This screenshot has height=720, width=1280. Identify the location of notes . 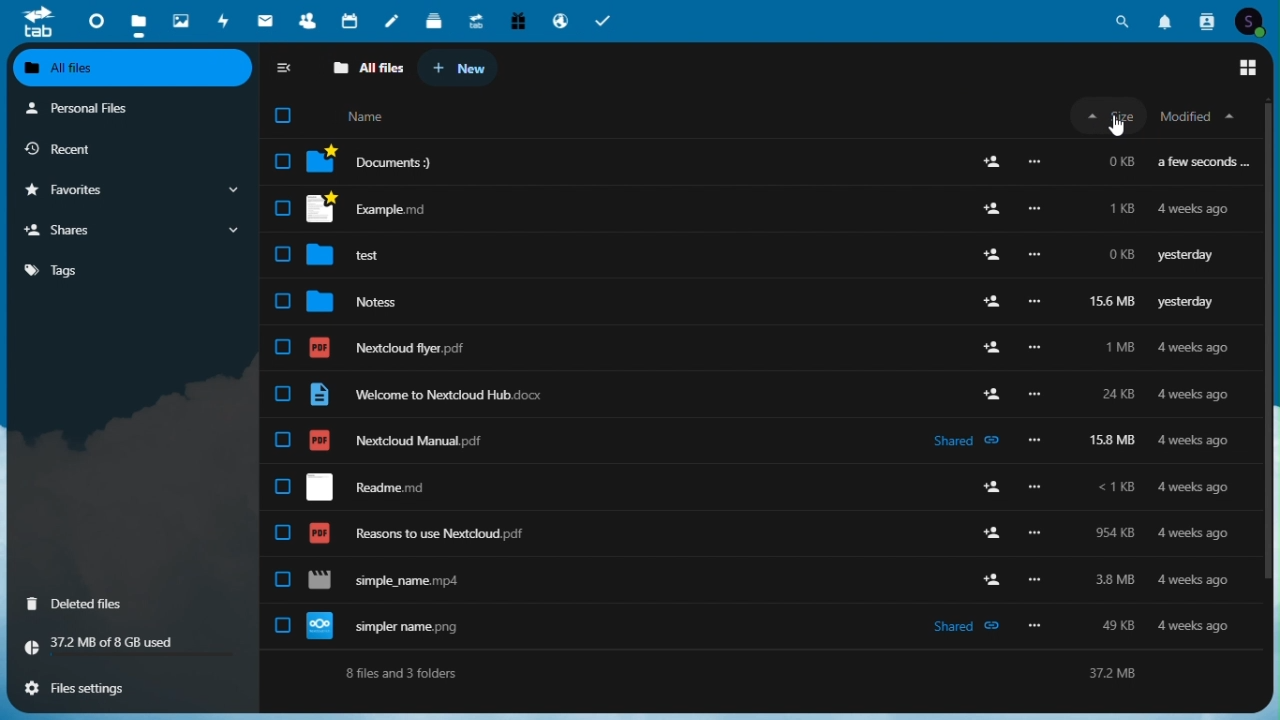
(395, 21).